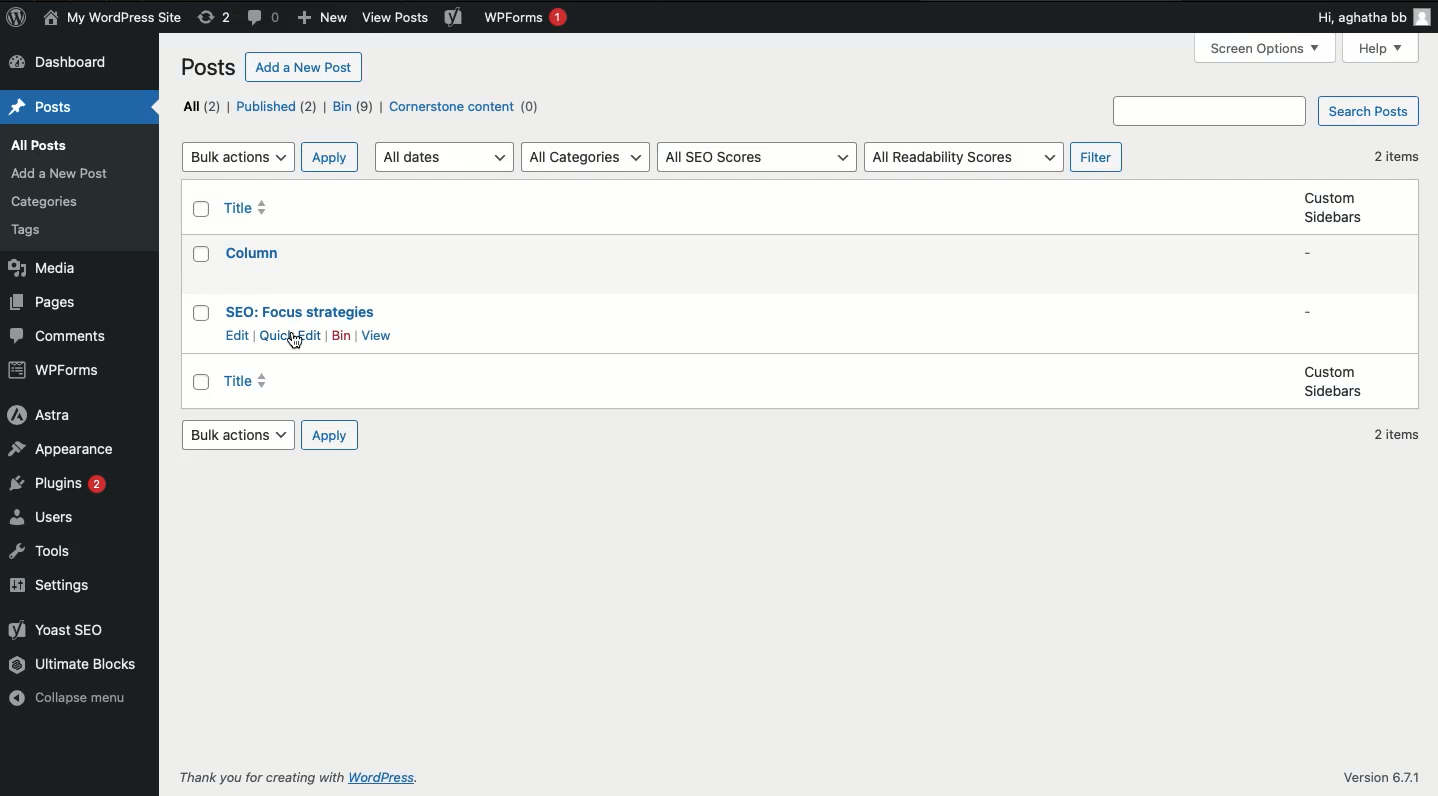  I want to click on Checkbox, so click(203, 254).